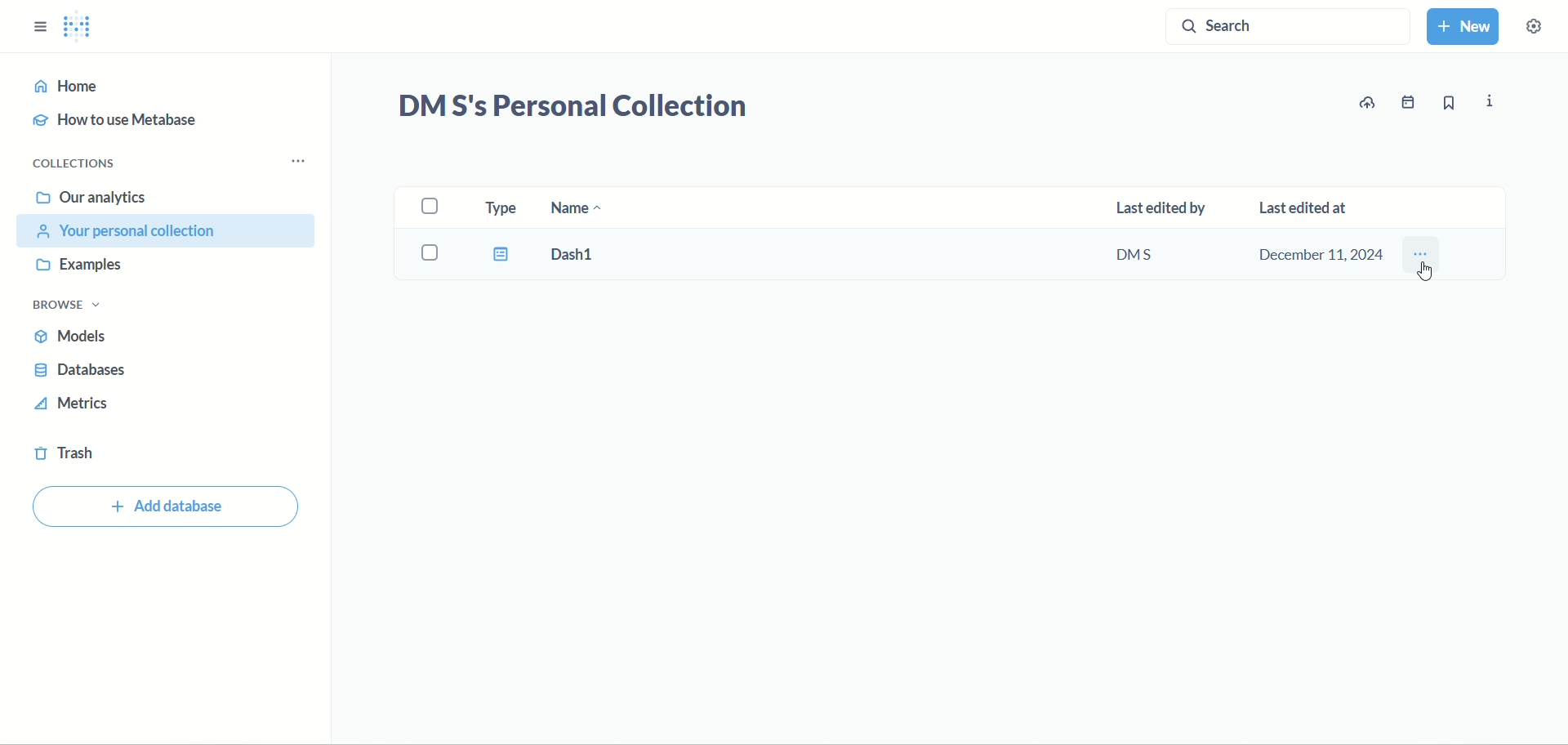 The image size is (1568, 745). Describe the element at coordinates (1410, 102) in the screenshot. I see `event` at that location.